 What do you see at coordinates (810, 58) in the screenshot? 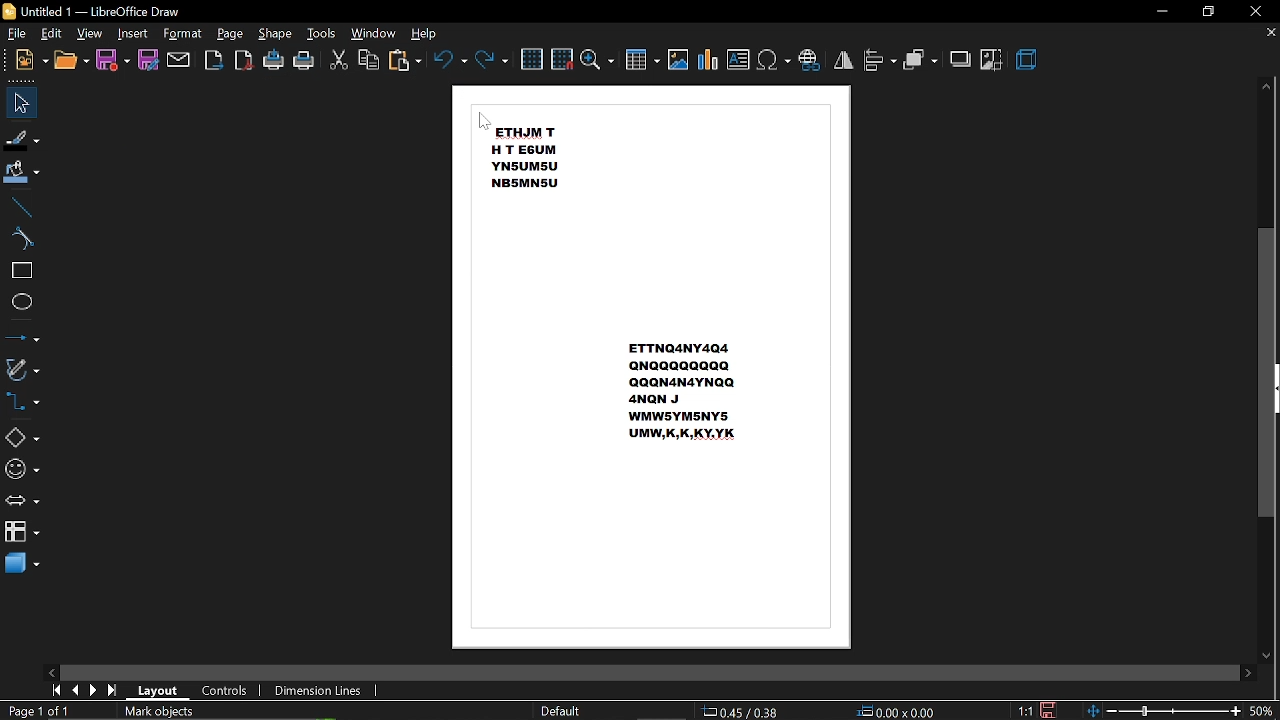
I see `insert hyperlink` at bounding box center [810, 58].